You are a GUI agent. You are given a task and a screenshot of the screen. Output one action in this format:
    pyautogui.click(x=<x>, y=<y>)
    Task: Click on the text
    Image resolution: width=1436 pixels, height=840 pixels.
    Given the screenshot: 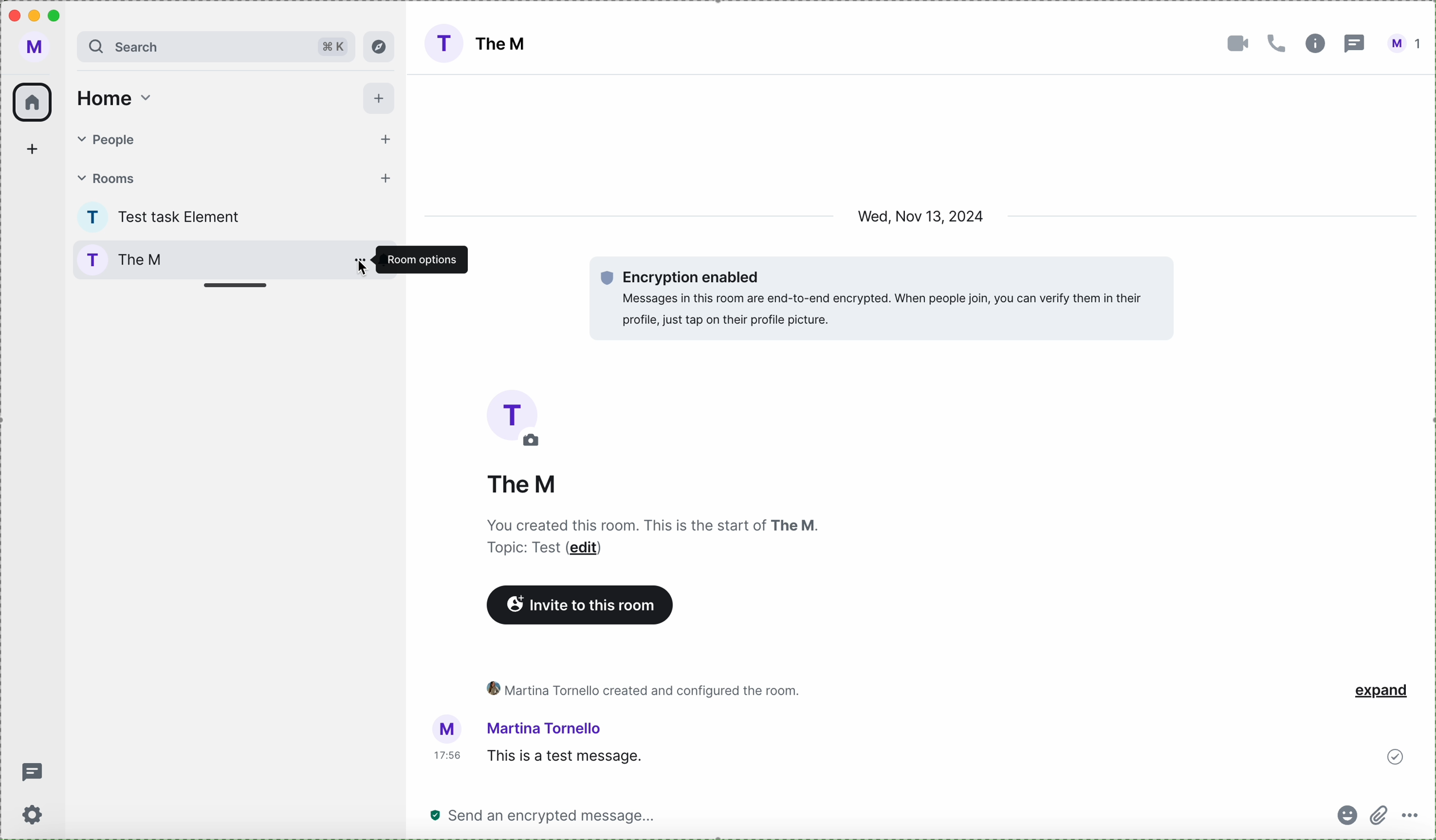 What is the action you would take?
    pyautogui.click(x=514, y=551)
    